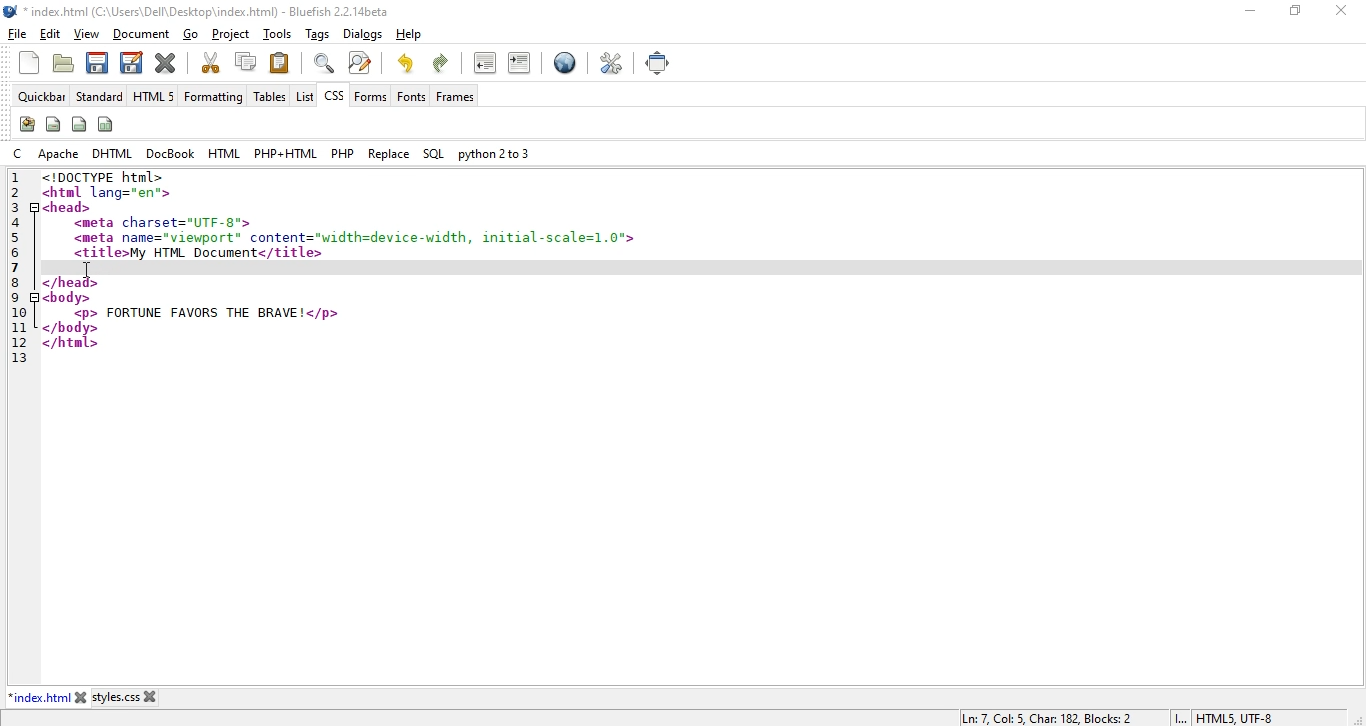  What do you see at coordinates (519, 62) in the screenshot?
I see `indent` at bounding box center [519, 62].